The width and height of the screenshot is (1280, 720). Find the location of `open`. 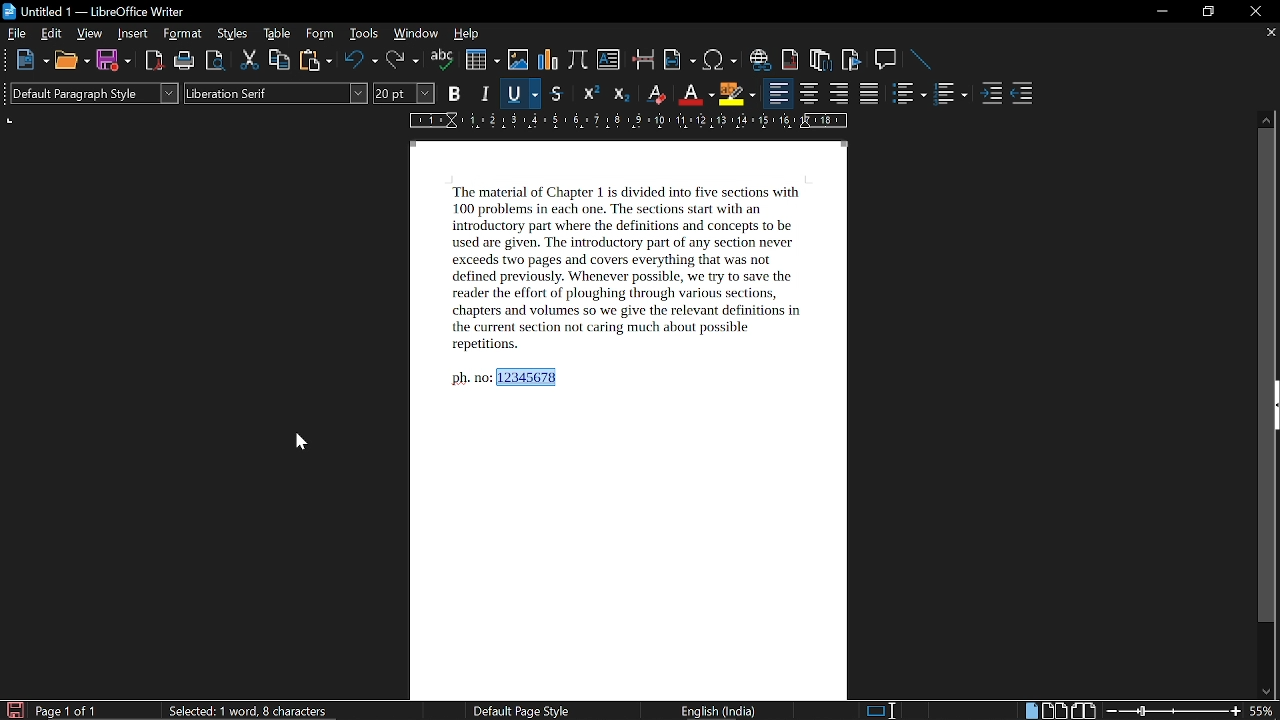

open is located at coordinates (72, 60).